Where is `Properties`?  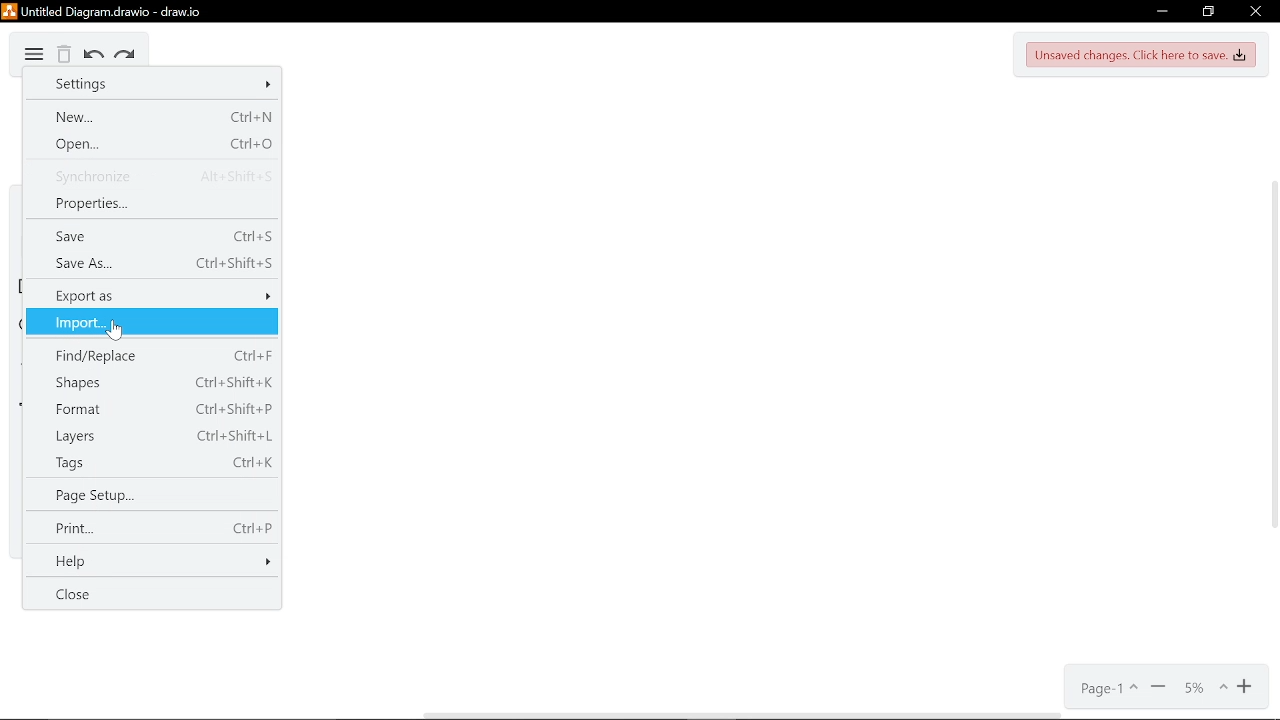 Properties is located at coordinates (153, 203).